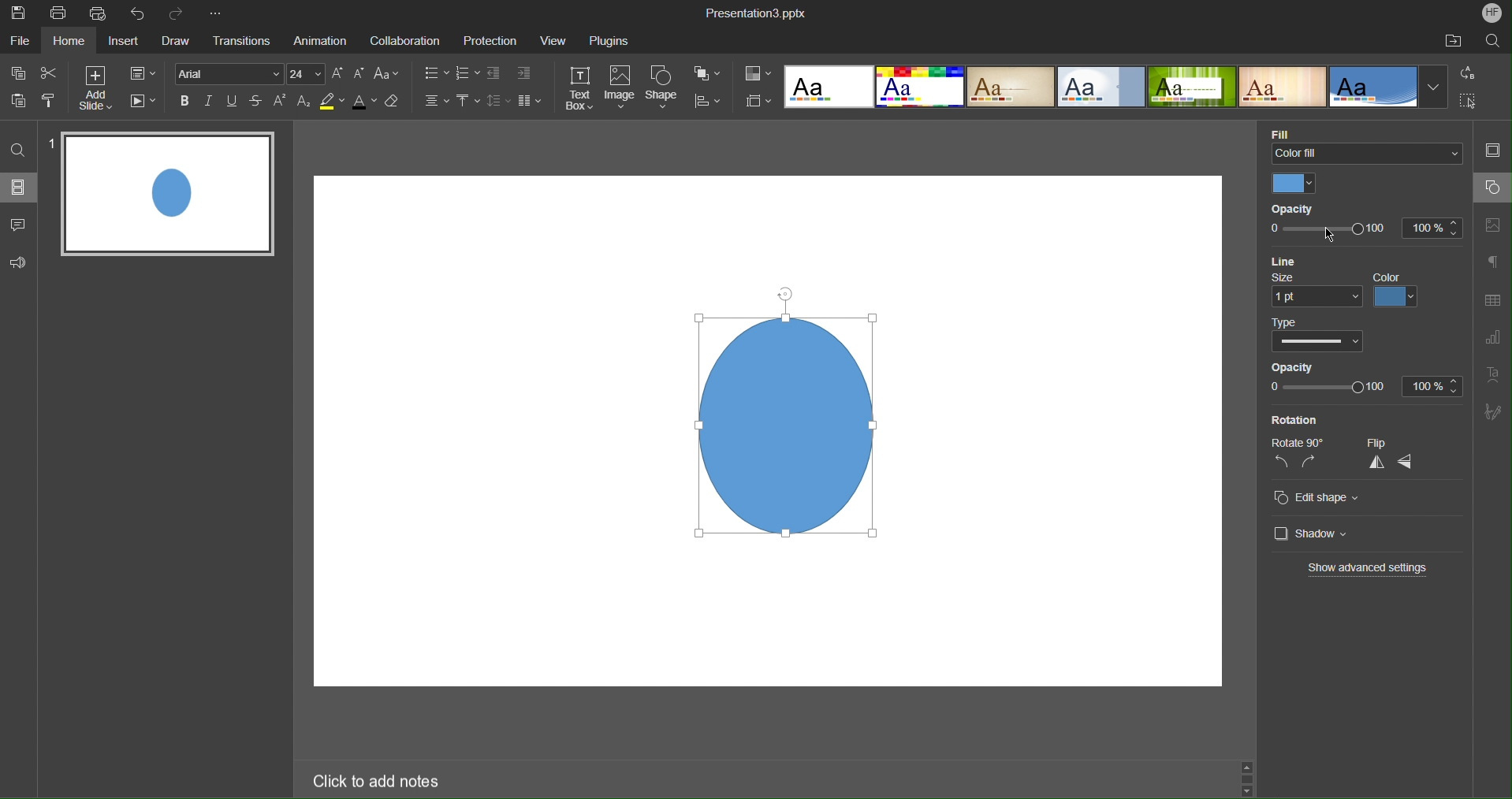 Image resolution: width=1512 pixels, height=799 pixels. What do you see at coordinates (1406, 463) in the screenshot?
I see `Flip Horizontal` at bounding box center [1406, 463].